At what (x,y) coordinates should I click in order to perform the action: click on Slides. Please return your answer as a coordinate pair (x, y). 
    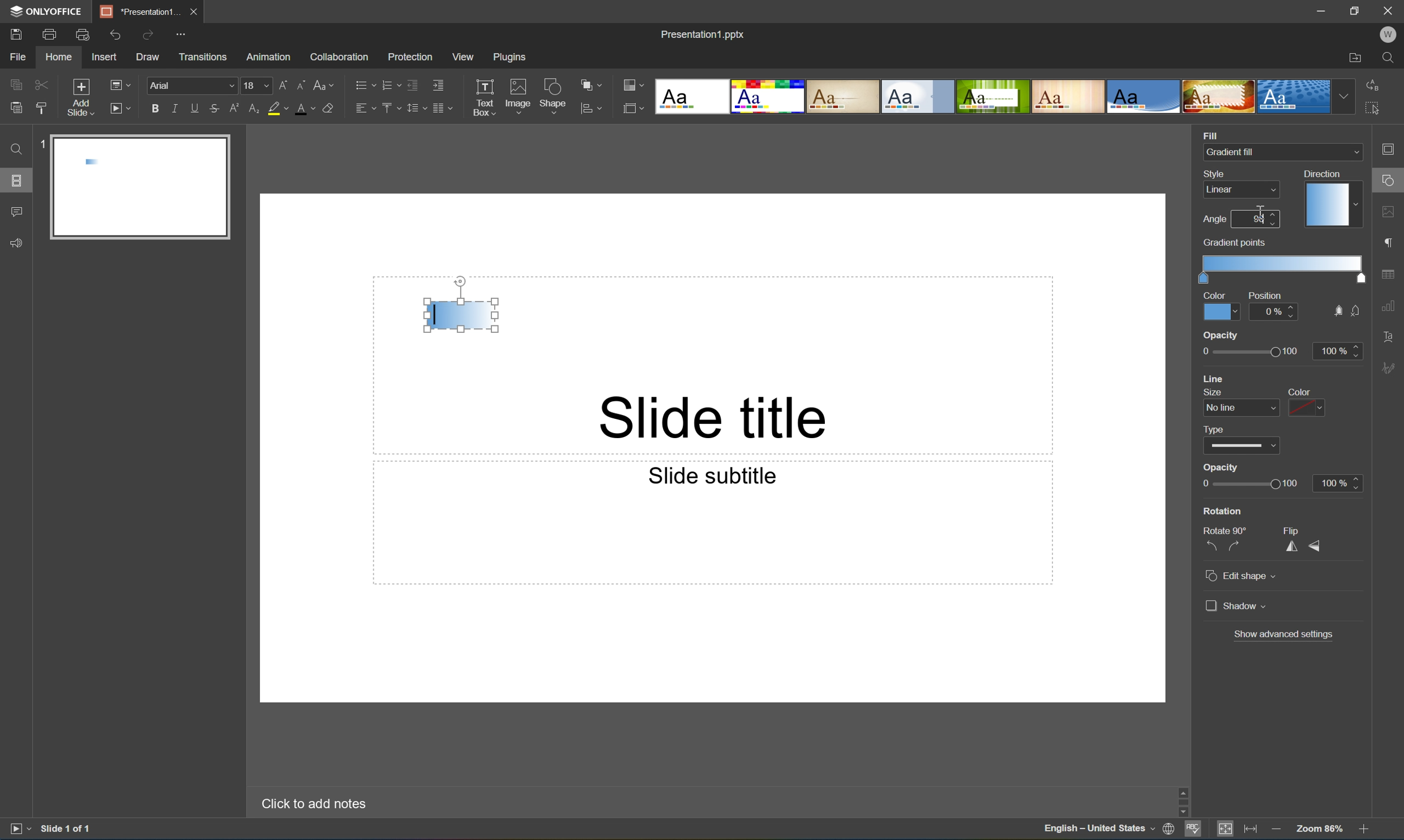
    Looking at the image, I should click on (19, 181).